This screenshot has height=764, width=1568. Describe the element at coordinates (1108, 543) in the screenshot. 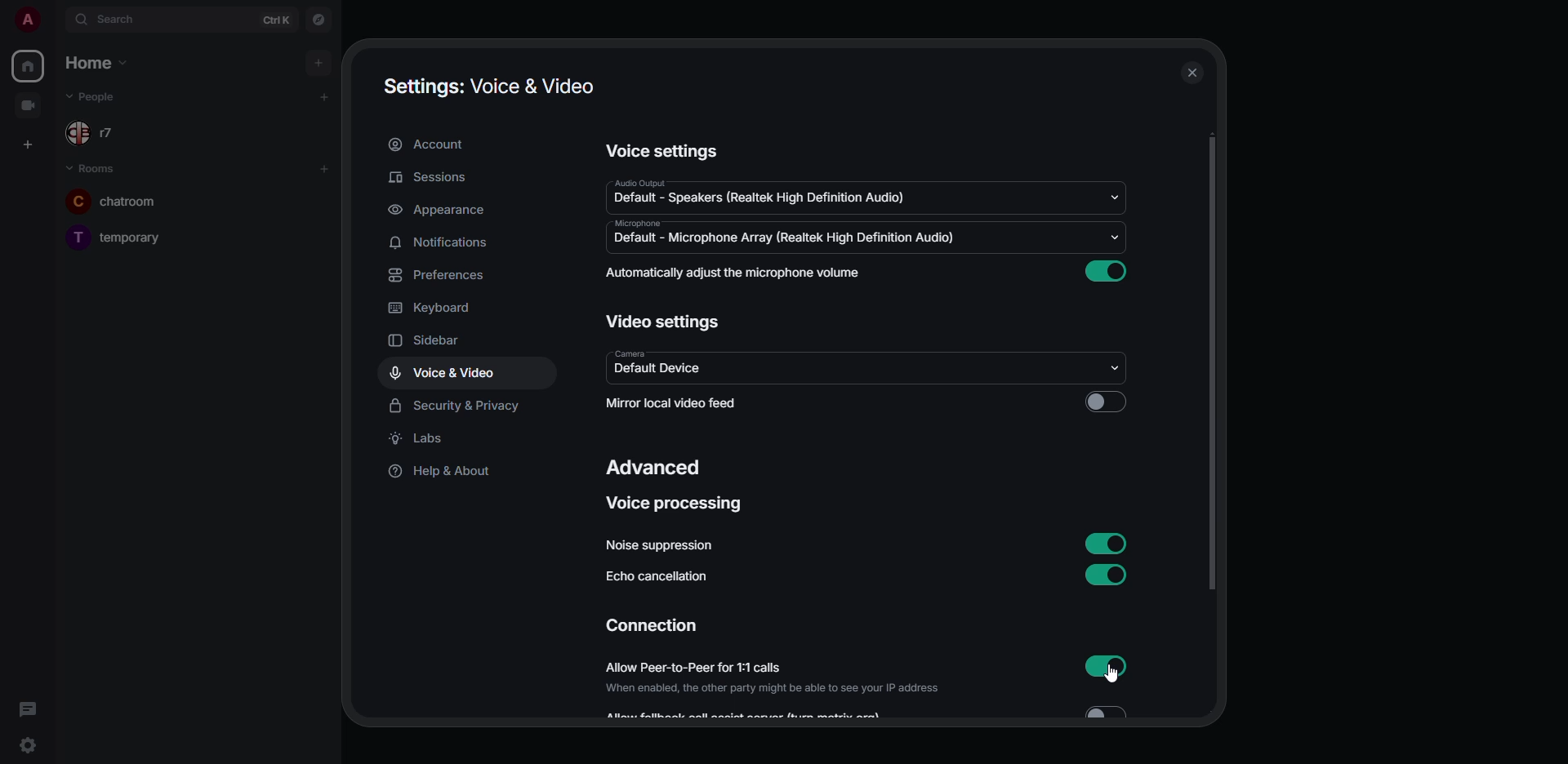

I see `enabled` at that location.